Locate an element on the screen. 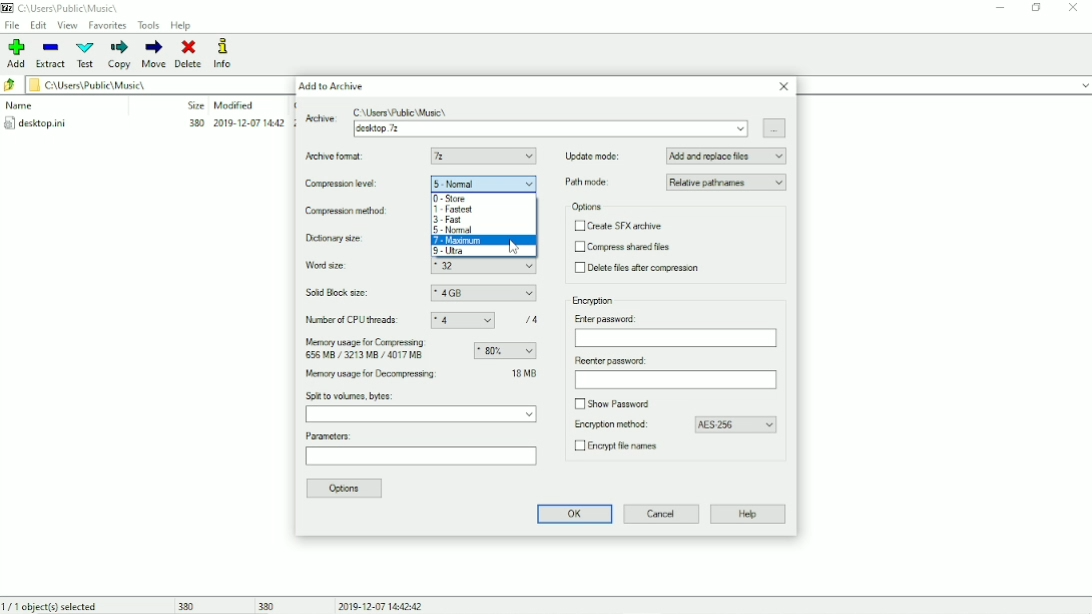 This screenshot has height=614, width=1092. Modified is located at coordinates (234, 105).